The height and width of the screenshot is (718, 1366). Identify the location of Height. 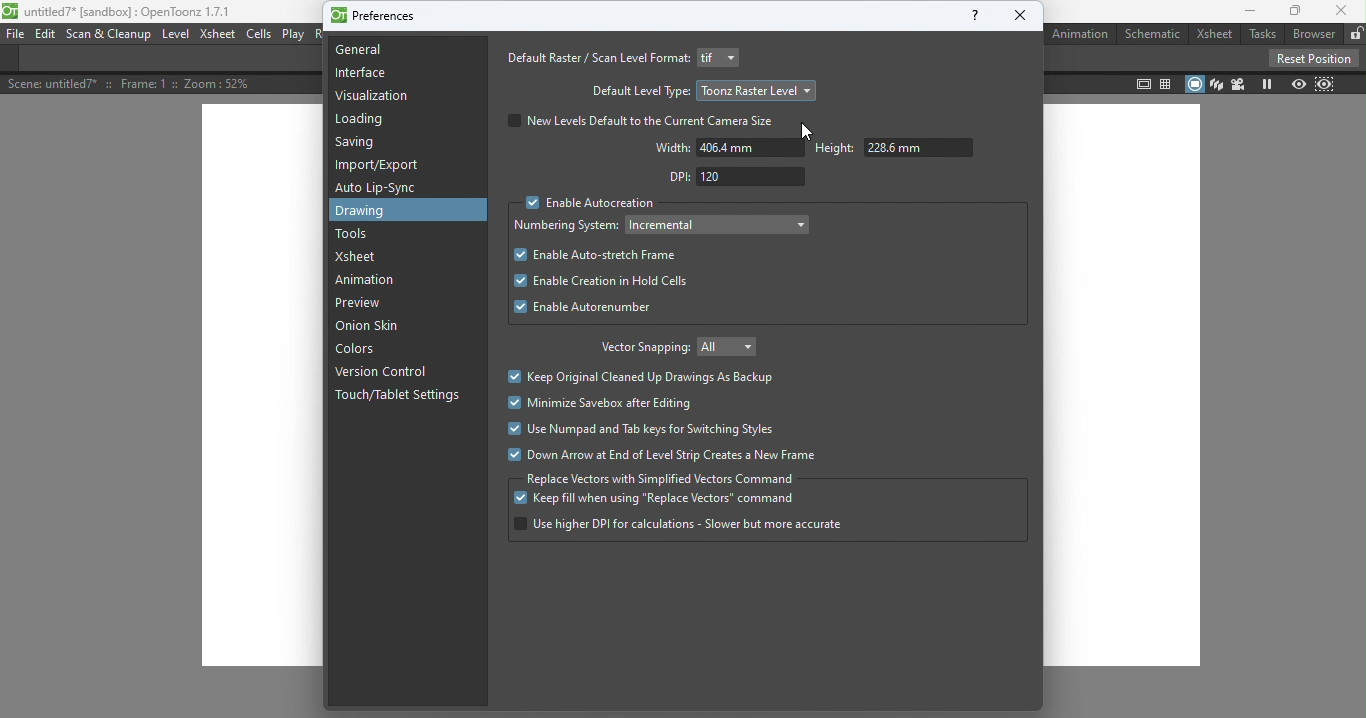
(901, 153).